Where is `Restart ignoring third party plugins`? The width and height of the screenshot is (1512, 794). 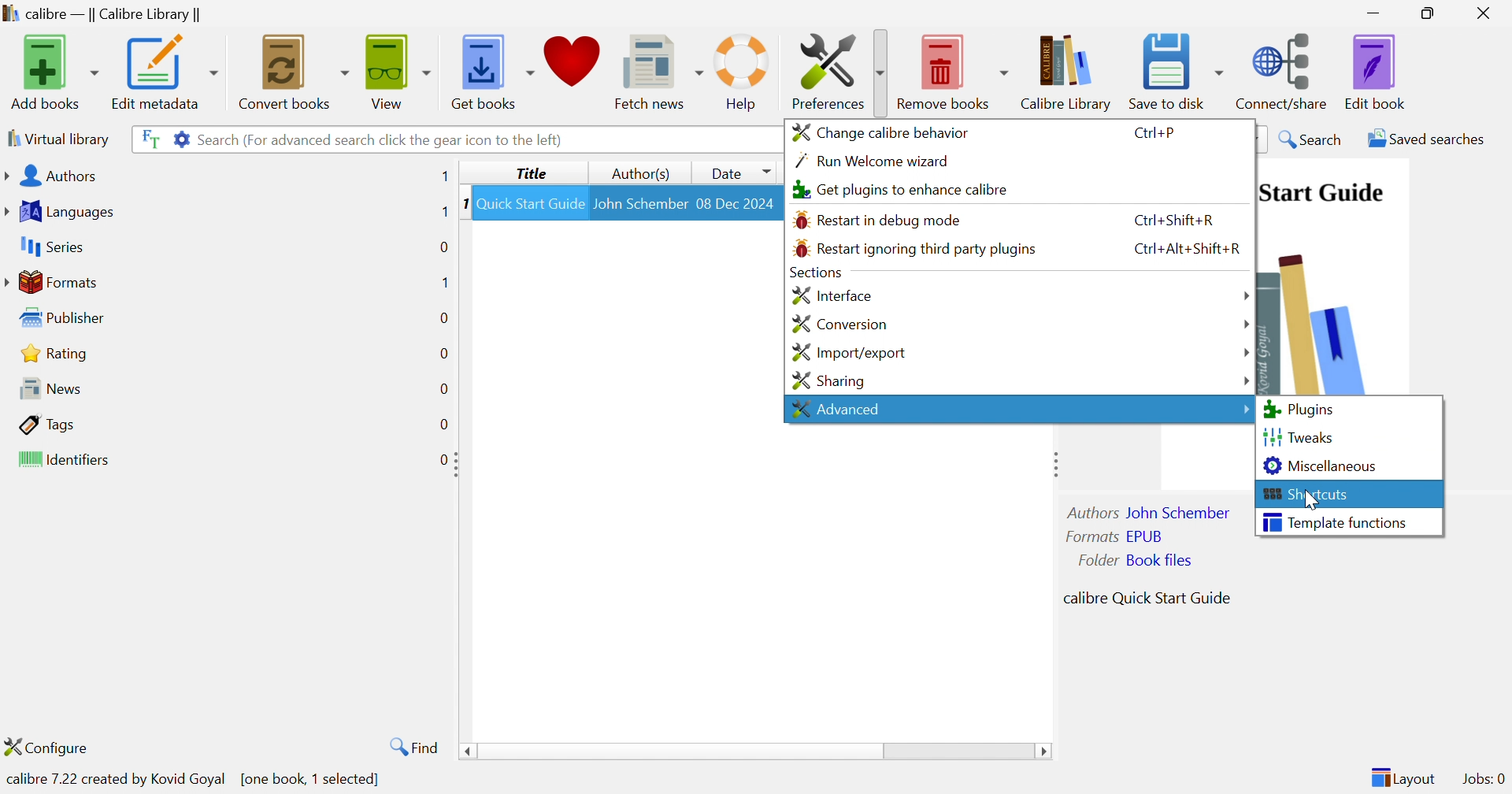 Restart ignoring third party plugins is located at coordinates (914, 249).